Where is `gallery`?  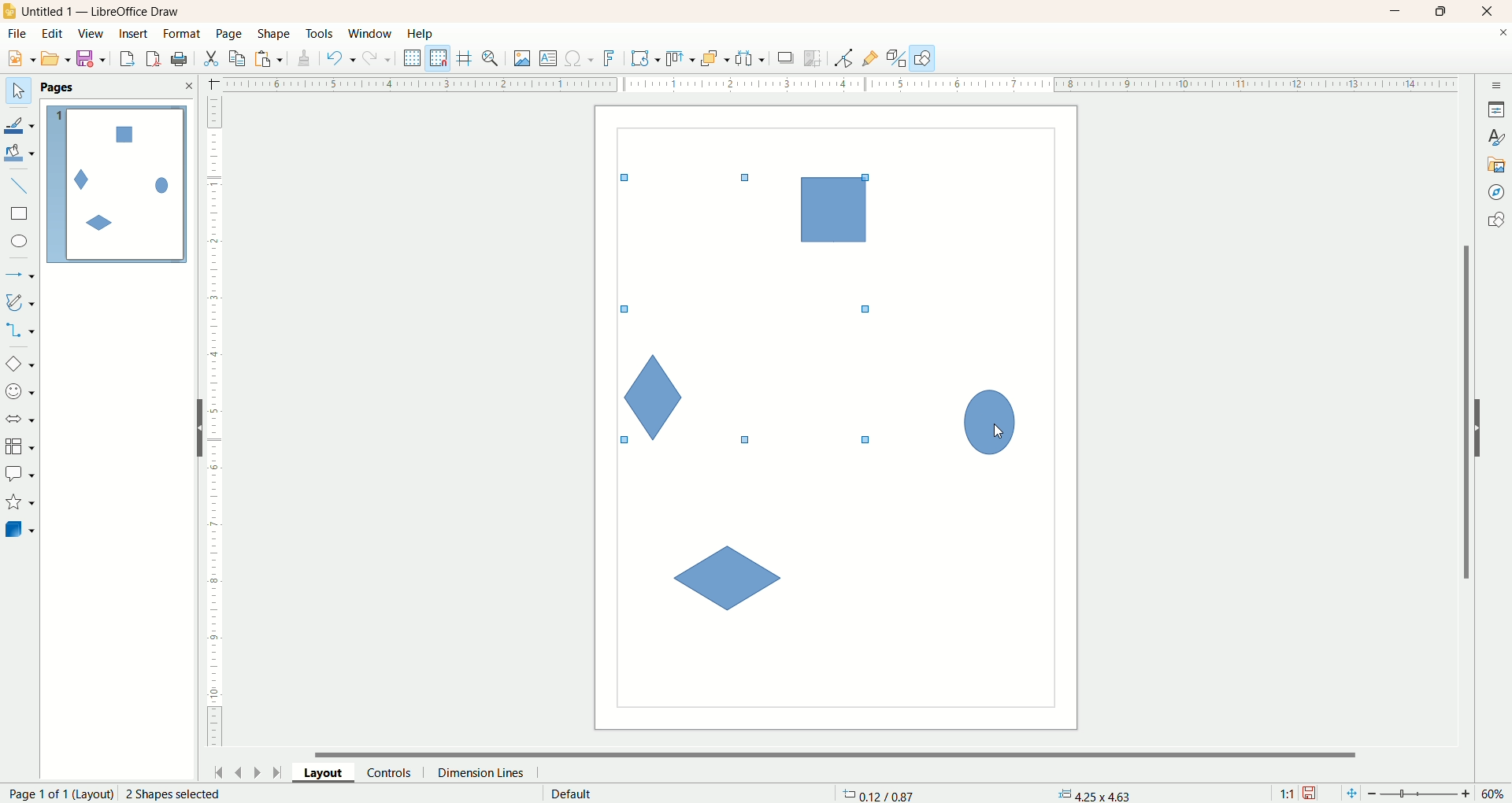 gallery is located at coordinates (1497, 163).